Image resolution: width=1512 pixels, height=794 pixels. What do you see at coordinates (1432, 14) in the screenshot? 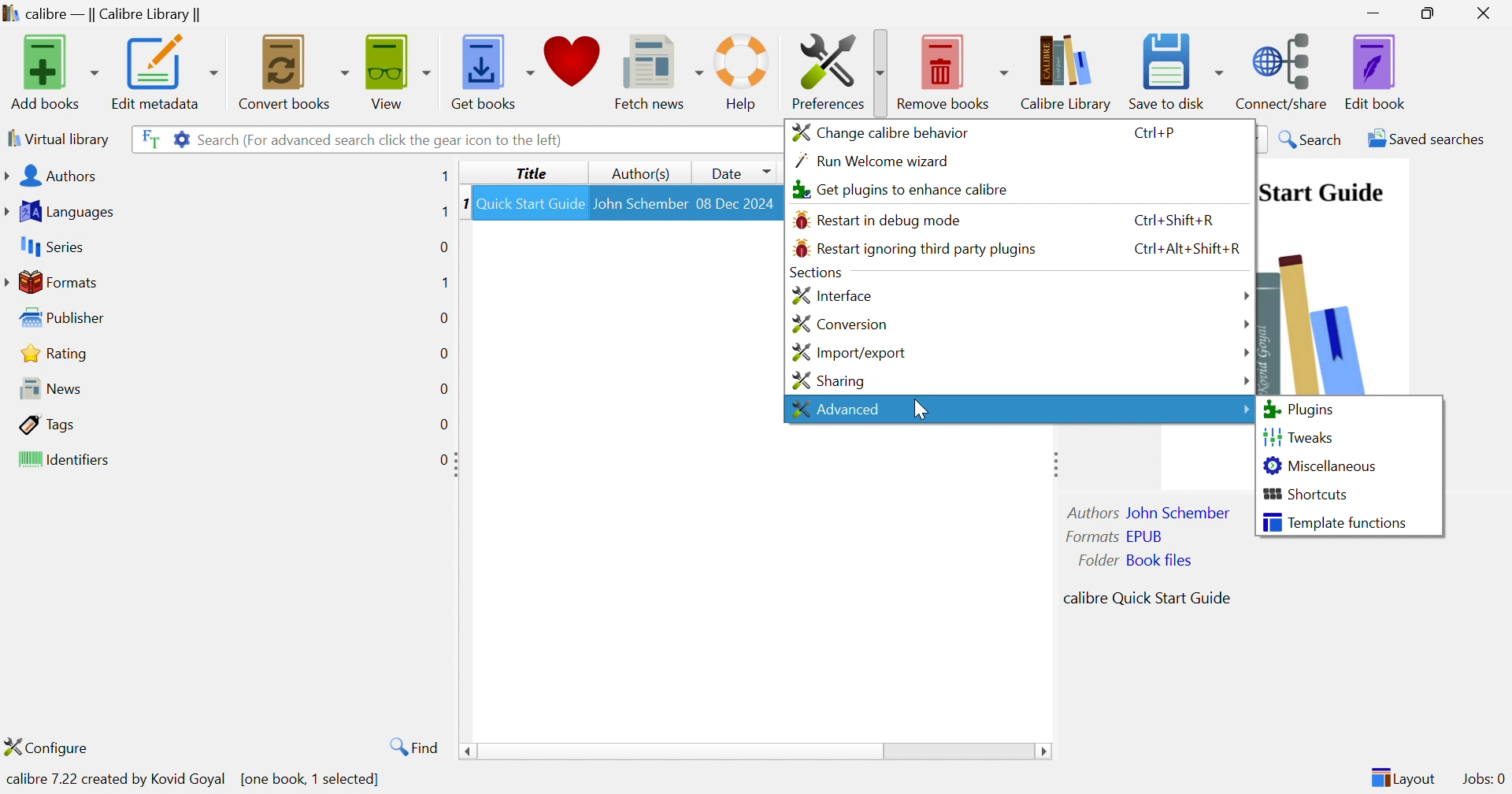
I see `Restore Down` at bounding box center [1432, 14].